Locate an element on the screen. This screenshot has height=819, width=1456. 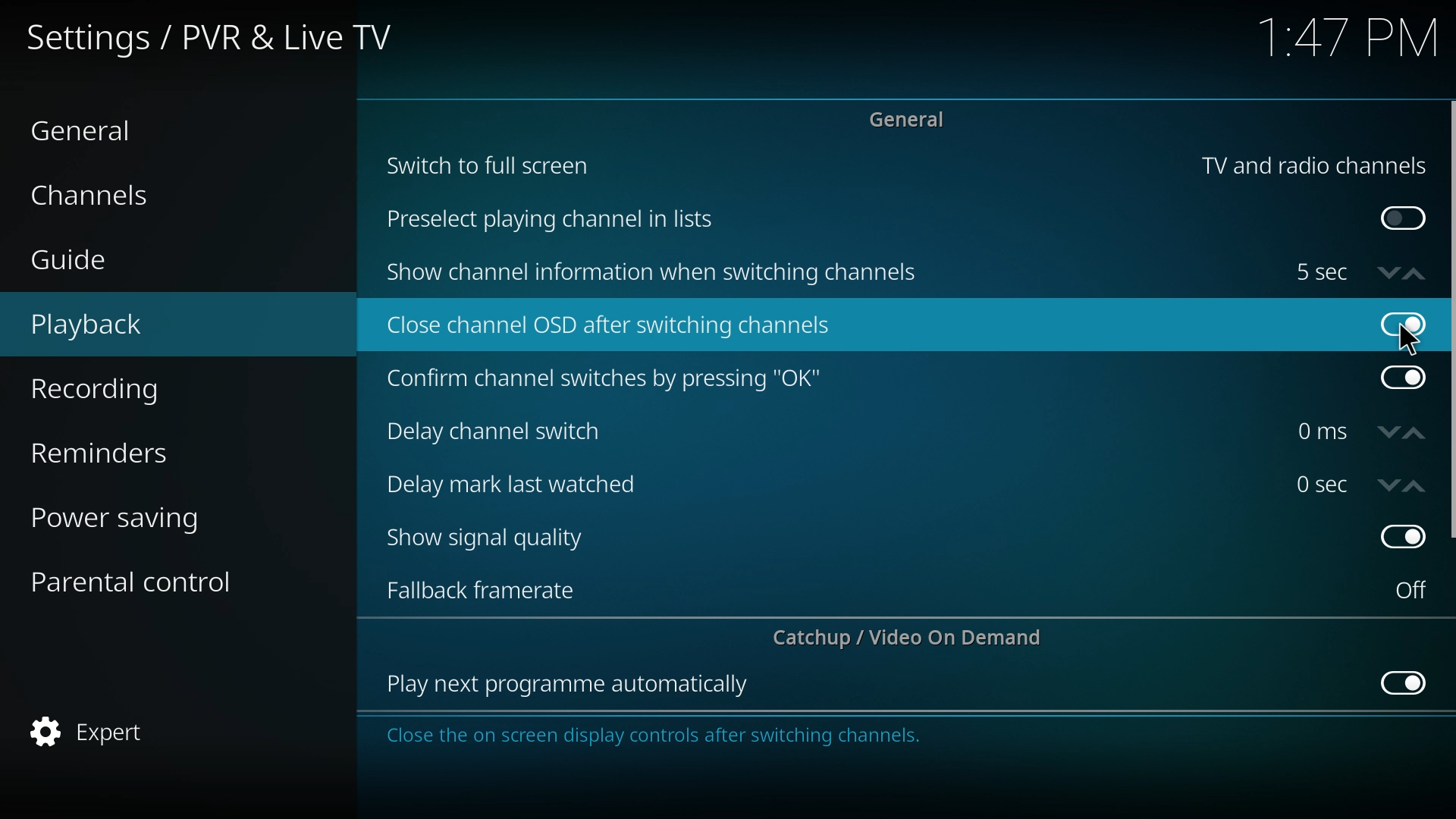
expert is located at coordinates (136, 733).